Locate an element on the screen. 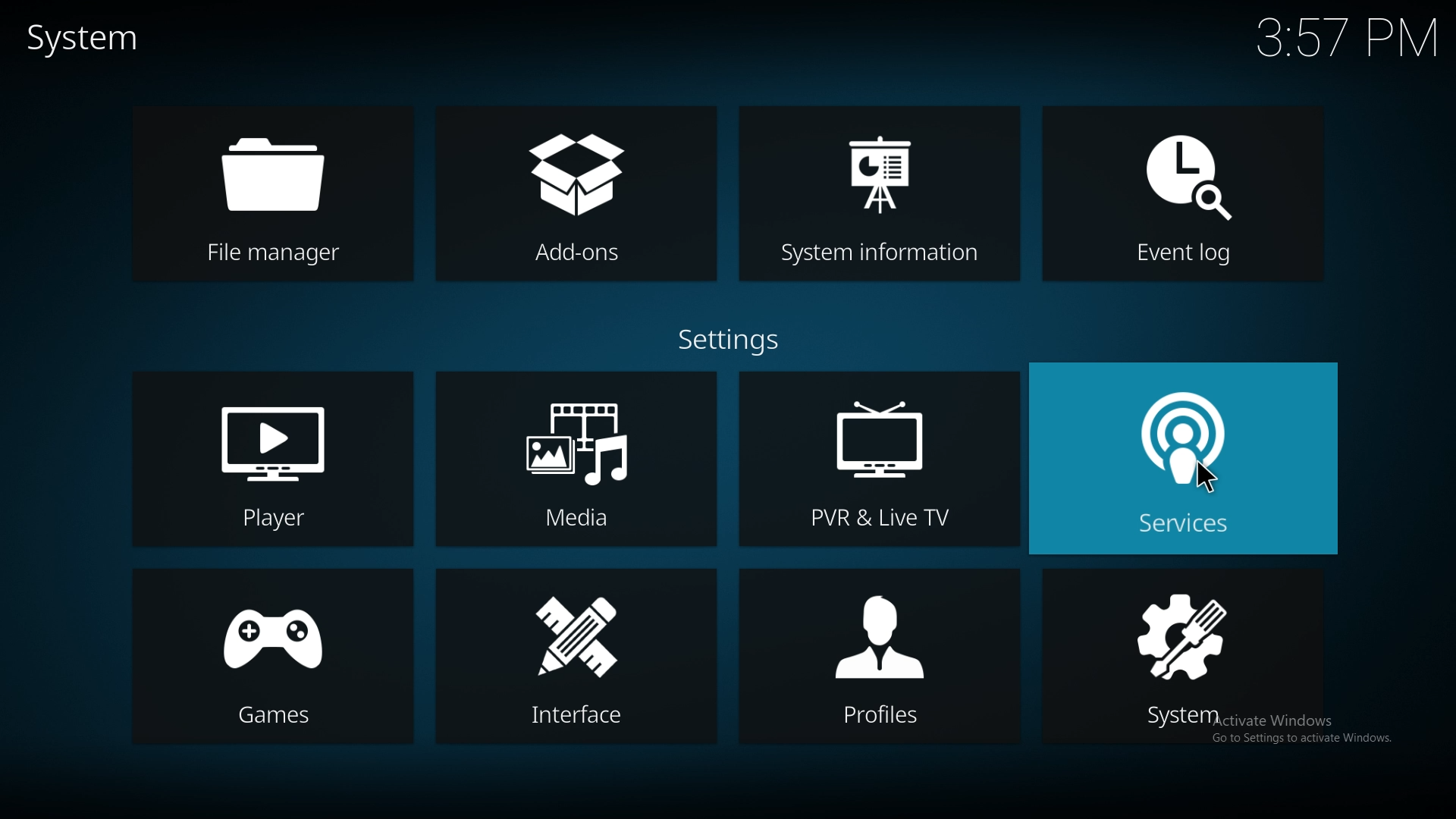 Image resolution: width=1456 pixels, height=819 pixels. pvr and live tv is located at coordinates (880, 457).